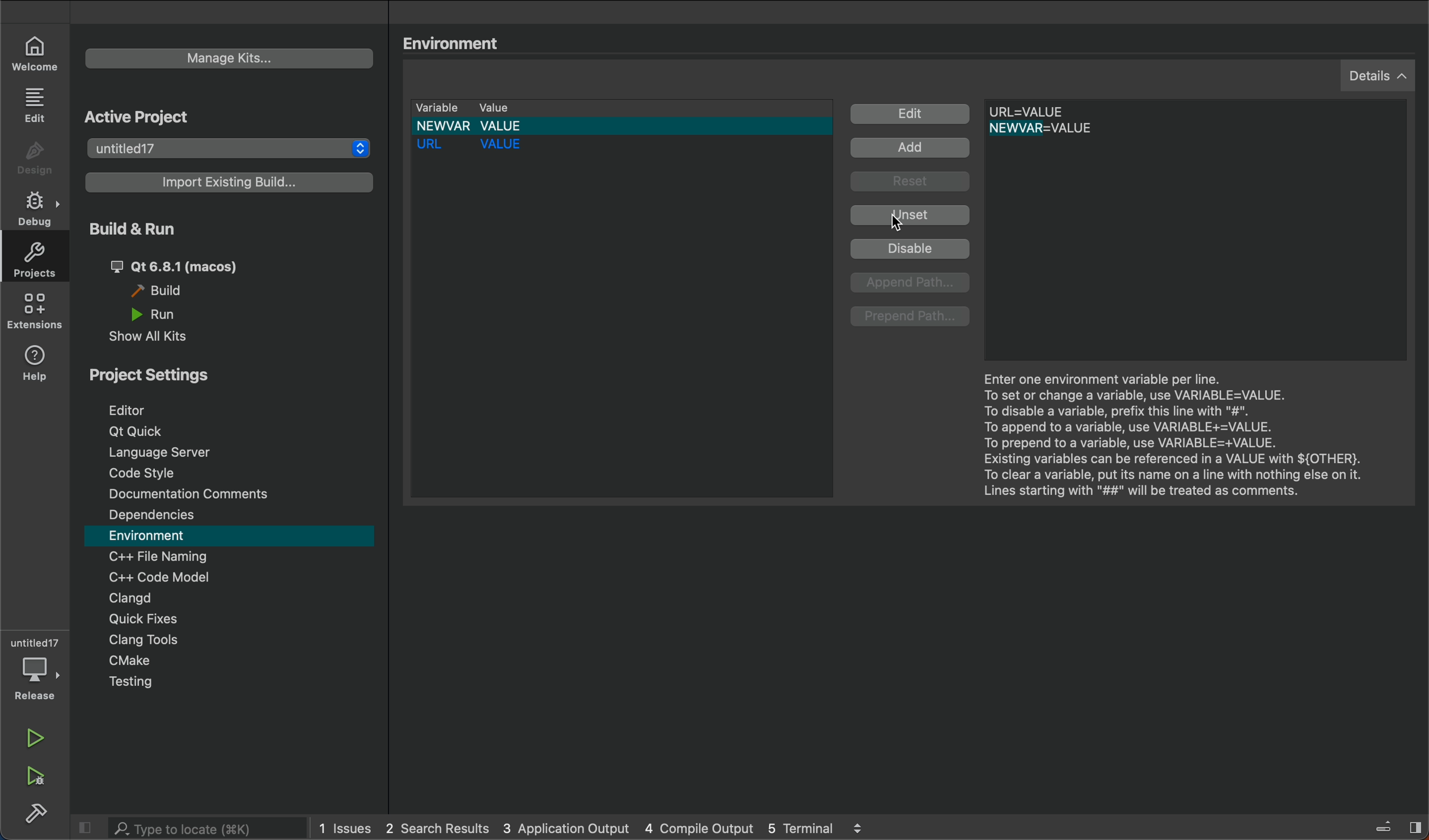 This screenshot has width=1429, height=840. What do you see at coordinates (598, 826) in the screenshot?
I see `logs` at bounding box center [598, 826].